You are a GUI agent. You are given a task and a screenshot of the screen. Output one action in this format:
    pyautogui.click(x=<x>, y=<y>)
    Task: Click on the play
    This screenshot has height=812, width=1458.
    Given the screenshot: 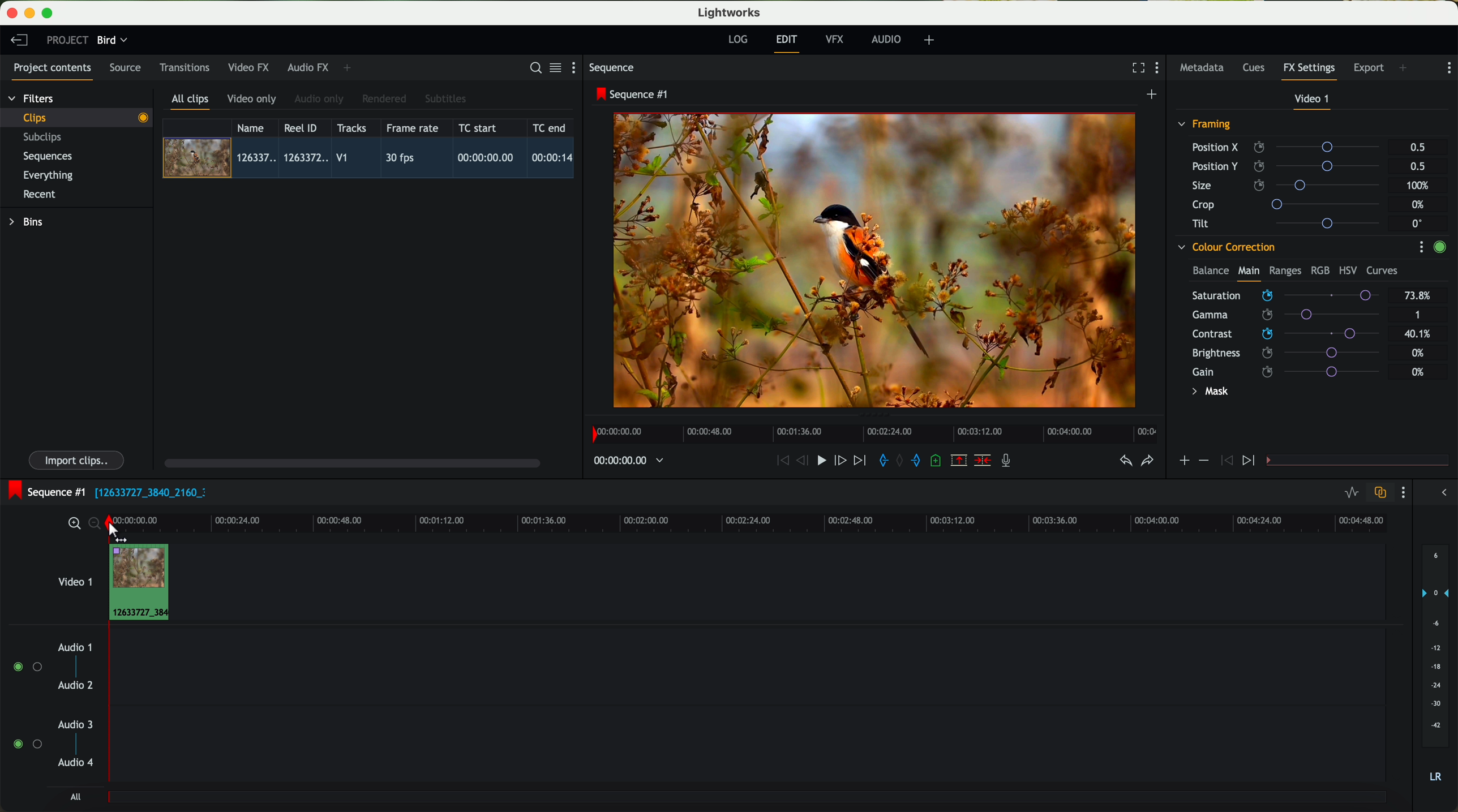 What is the action you would take?
    pyautogui.click(x=821, y=459)
    